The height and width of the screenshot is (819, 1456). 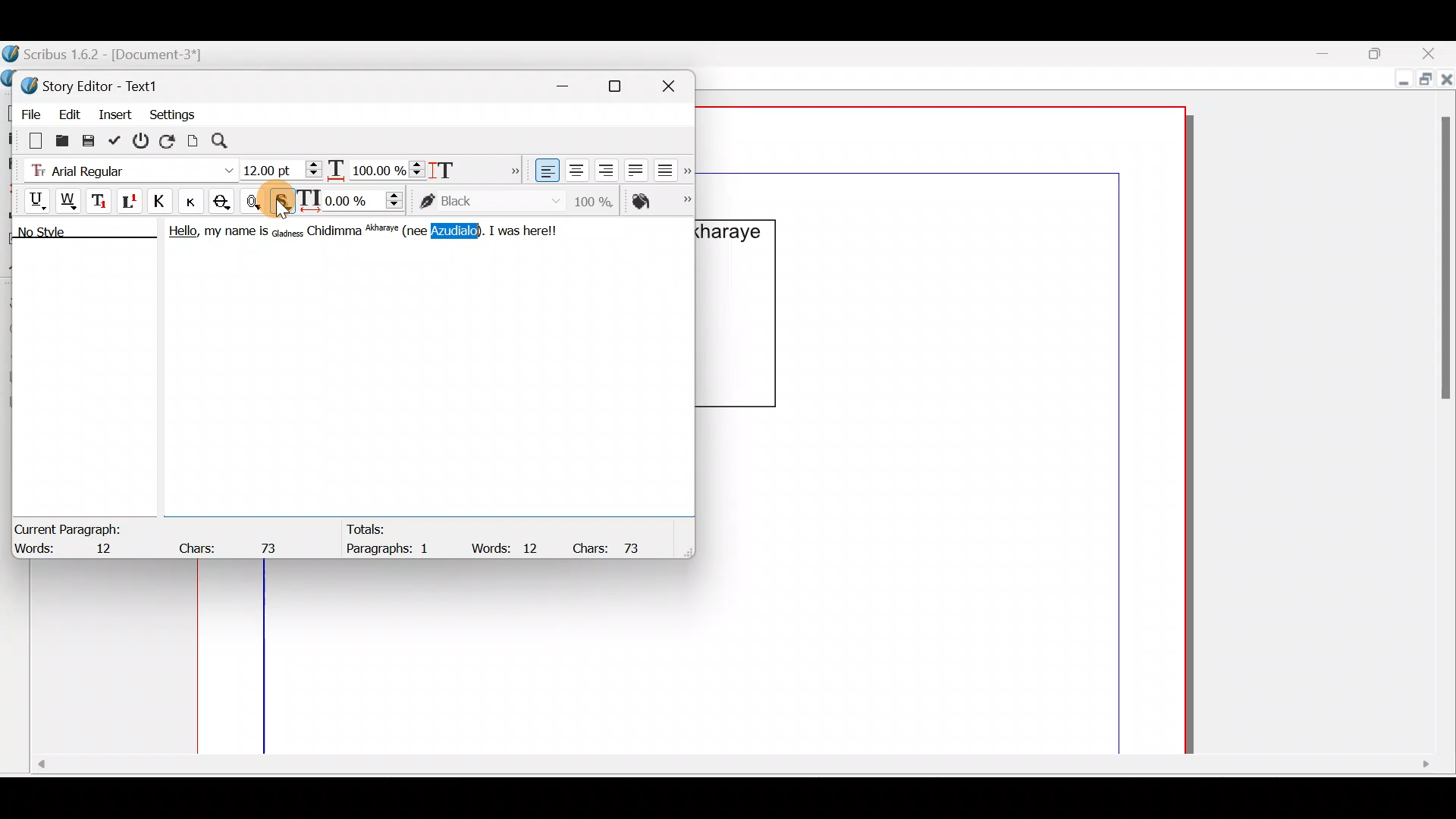 What do you see at coordinates (1400, 81) in the screenshot?
I see `Minimize` at bounding box center [1400, 81].